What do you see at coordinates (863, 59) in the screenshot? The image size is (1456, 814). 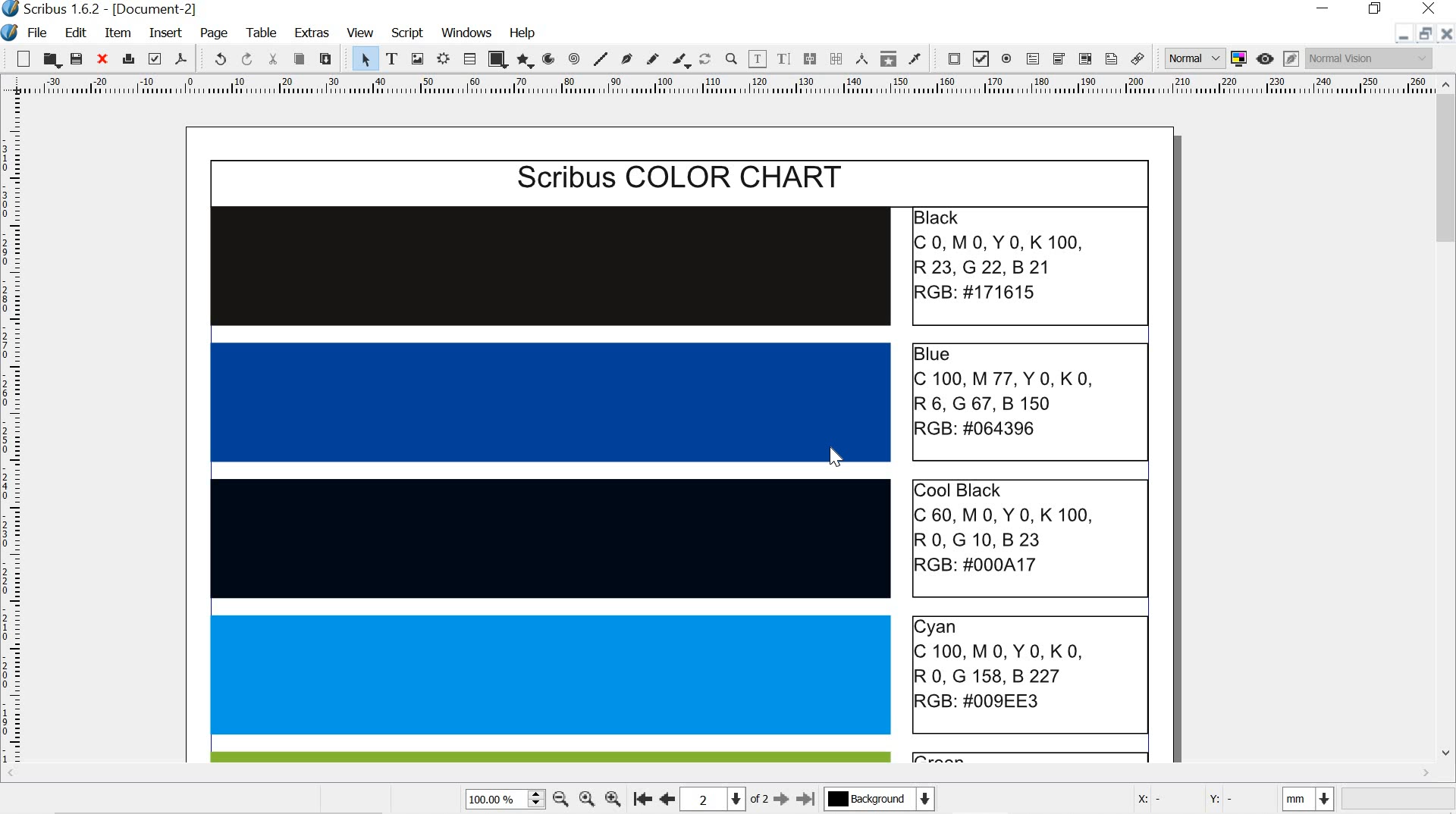 I see `measurements` at bounding box center [863, 59].